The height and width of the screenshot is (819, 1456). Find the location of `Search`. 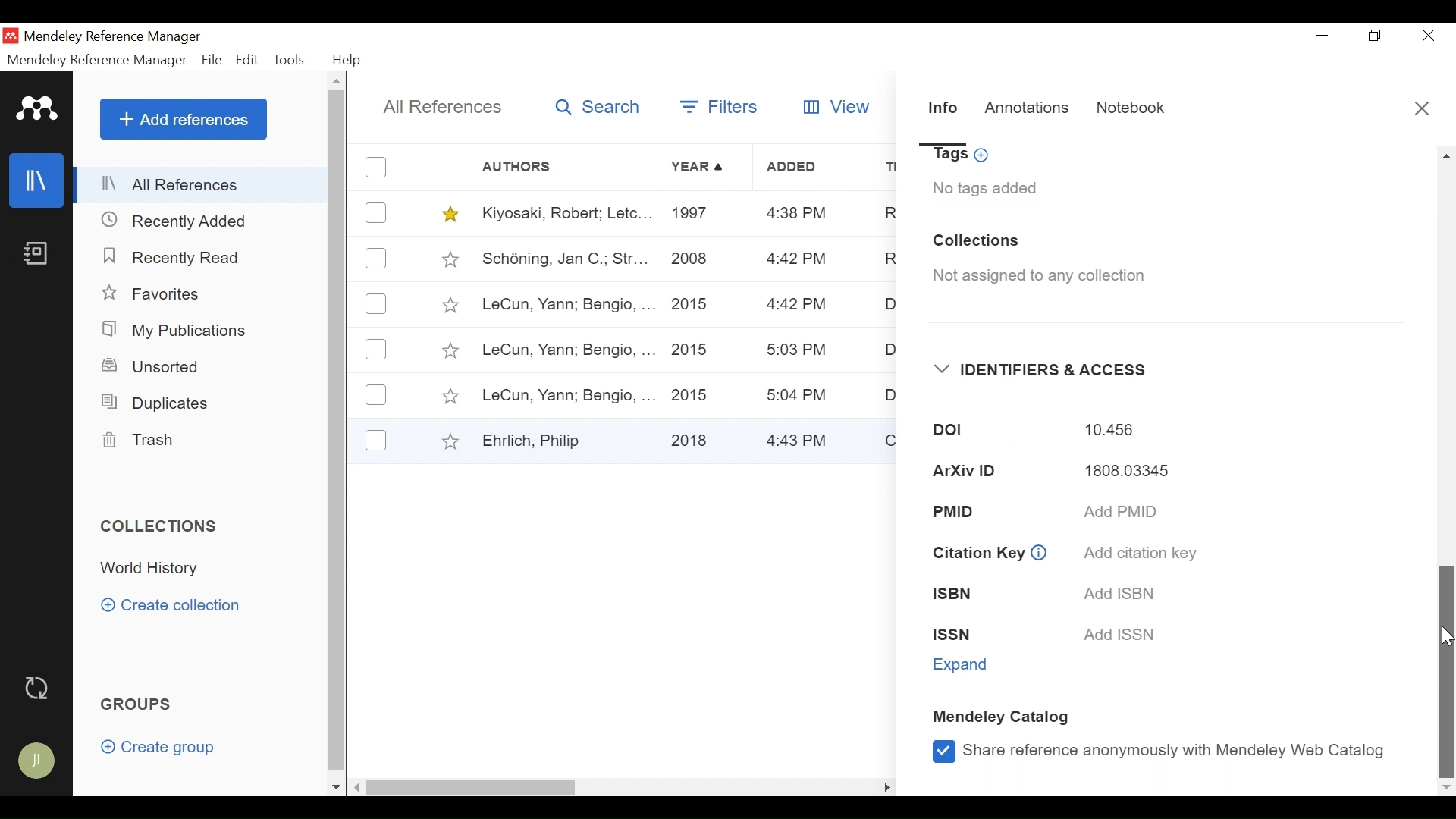

Search is located at coordinates (595, 109).